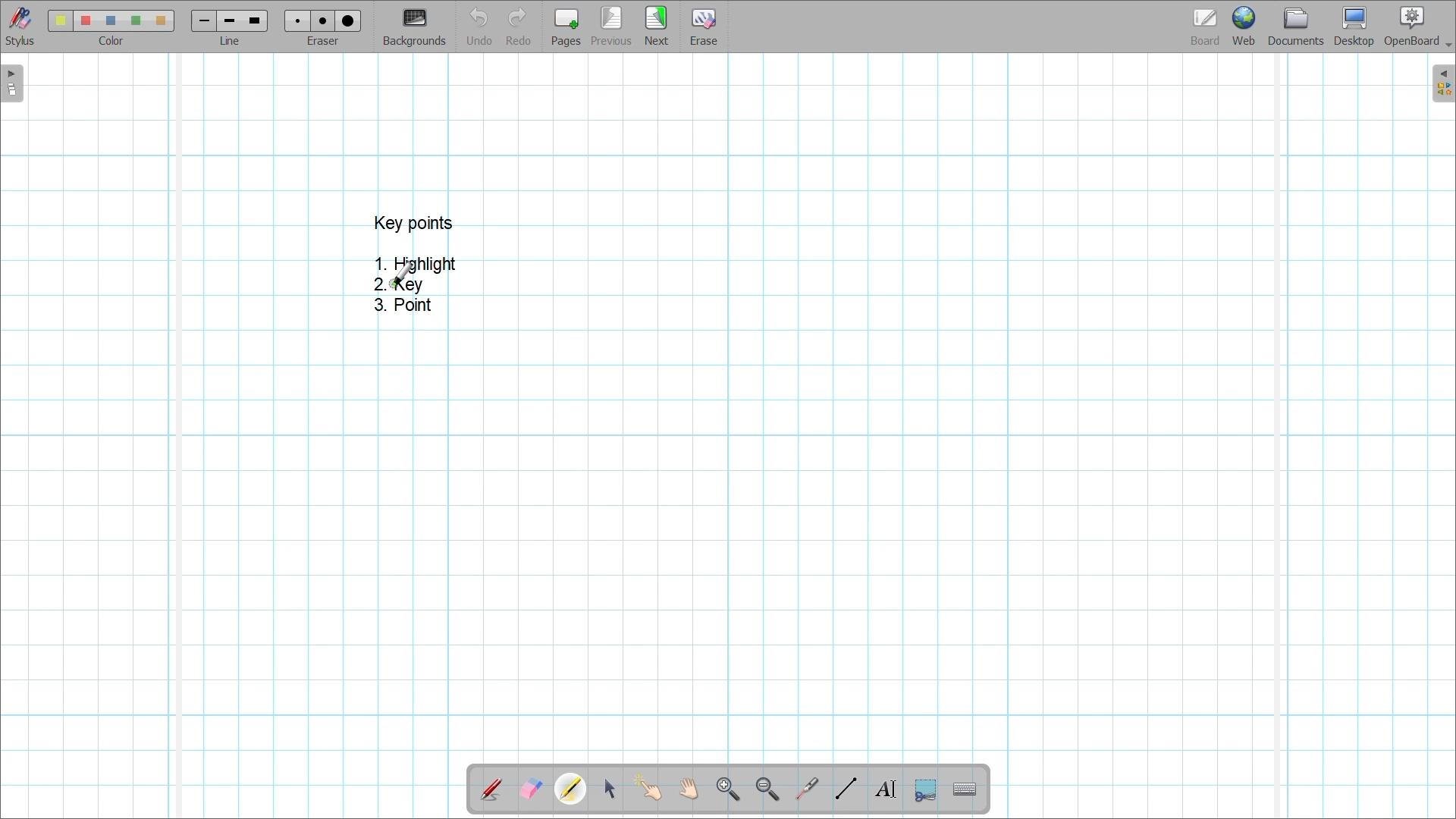 The image size is (1456, 819). What do you see at coordinates (401, 305) in the screenshot?
I see `3. Point` at bounding box center [401, 305].